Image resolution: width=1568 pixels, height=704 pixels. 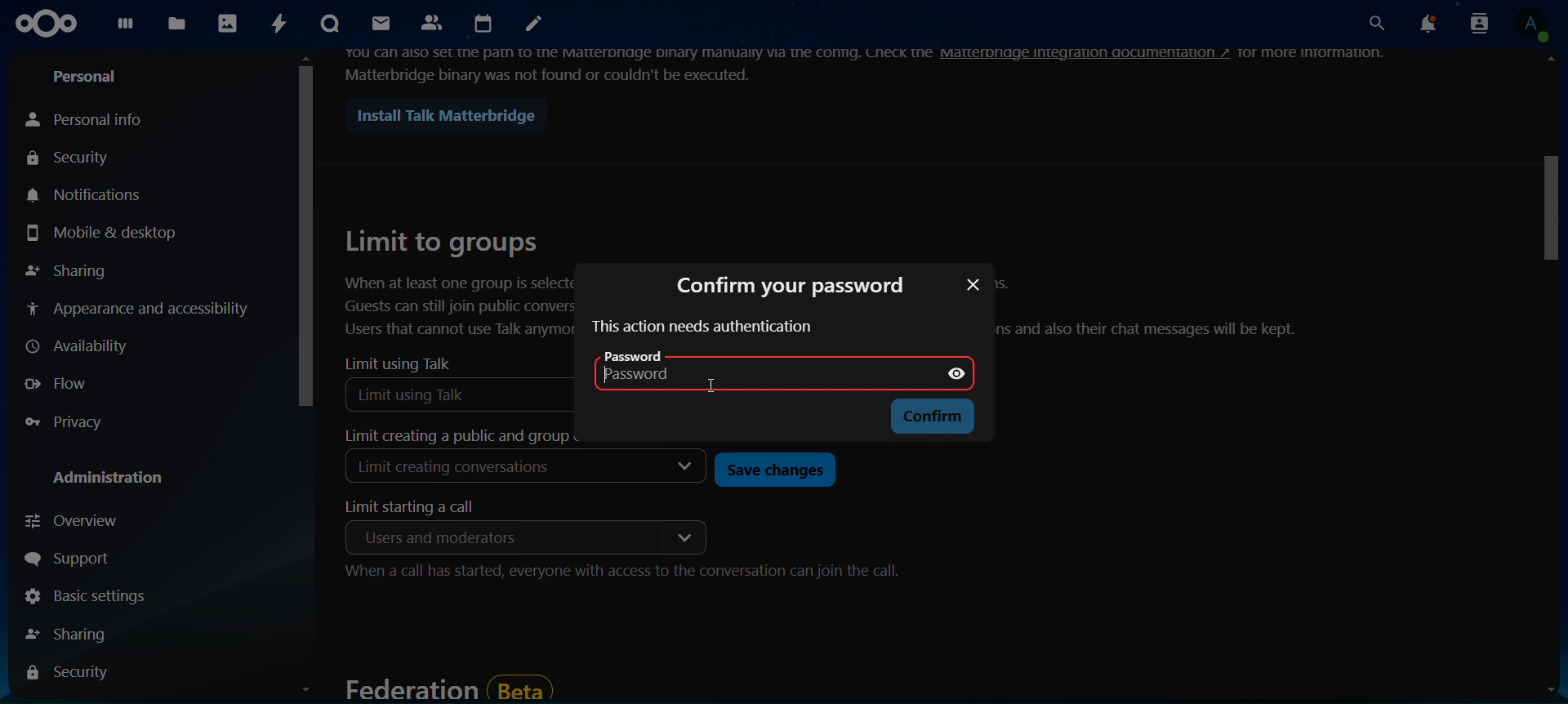 What do you see at coordinates (72, 159) in the screenshot?
I see `security` at bounding box center [72, 159].